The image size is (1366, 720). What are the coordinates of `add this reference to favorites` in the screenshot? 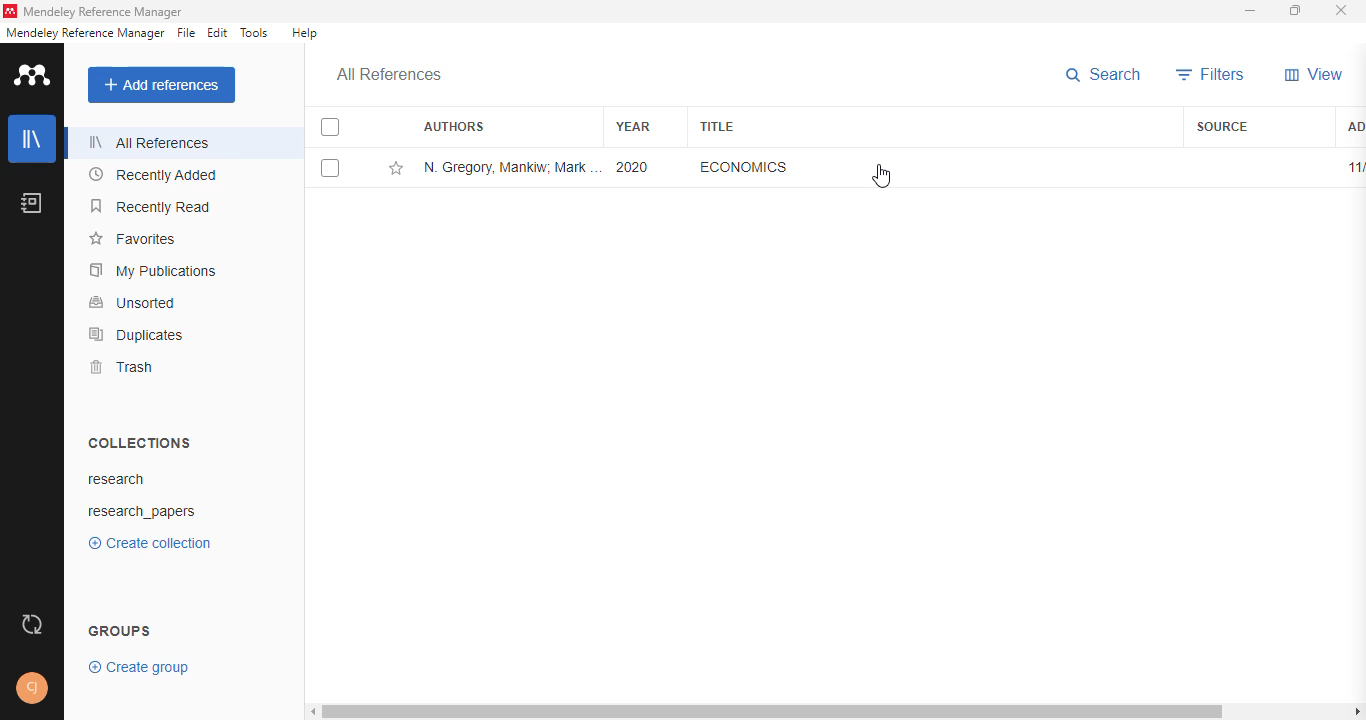 It's located at (396, 168).